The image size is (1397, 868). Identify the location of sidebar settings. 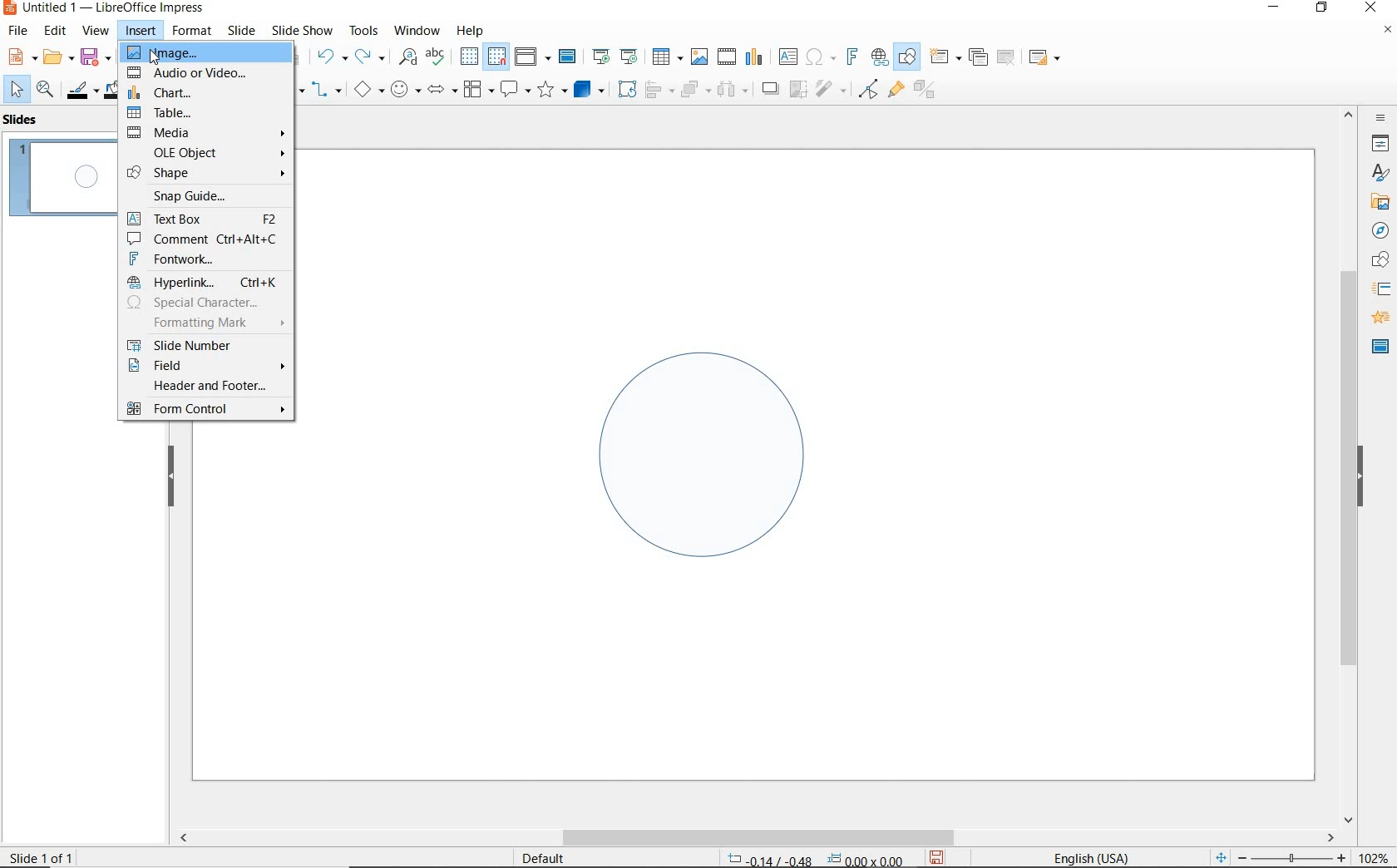
(1379, 118).